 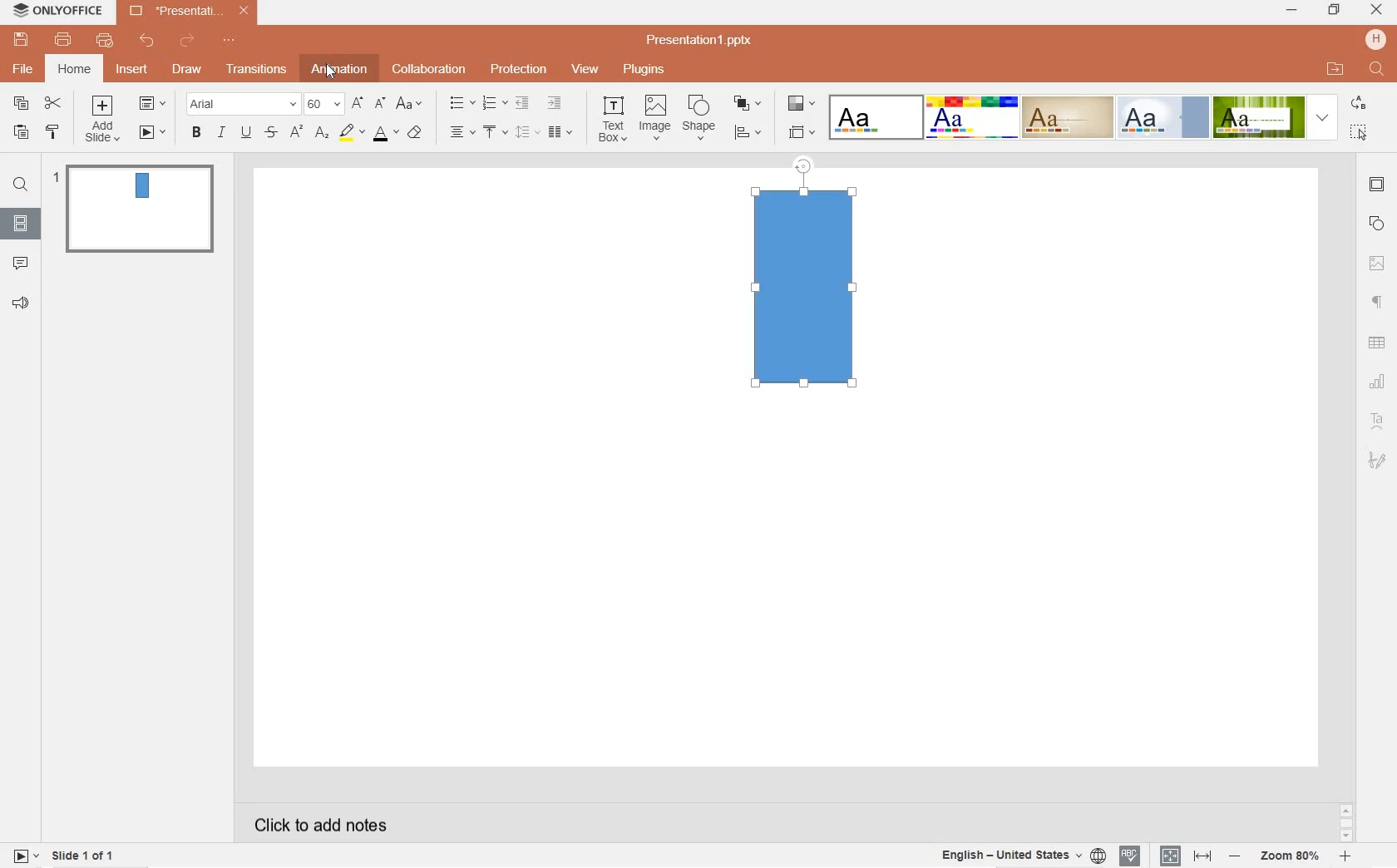 I want to click on decrement font size, so click(x=381, y=102).